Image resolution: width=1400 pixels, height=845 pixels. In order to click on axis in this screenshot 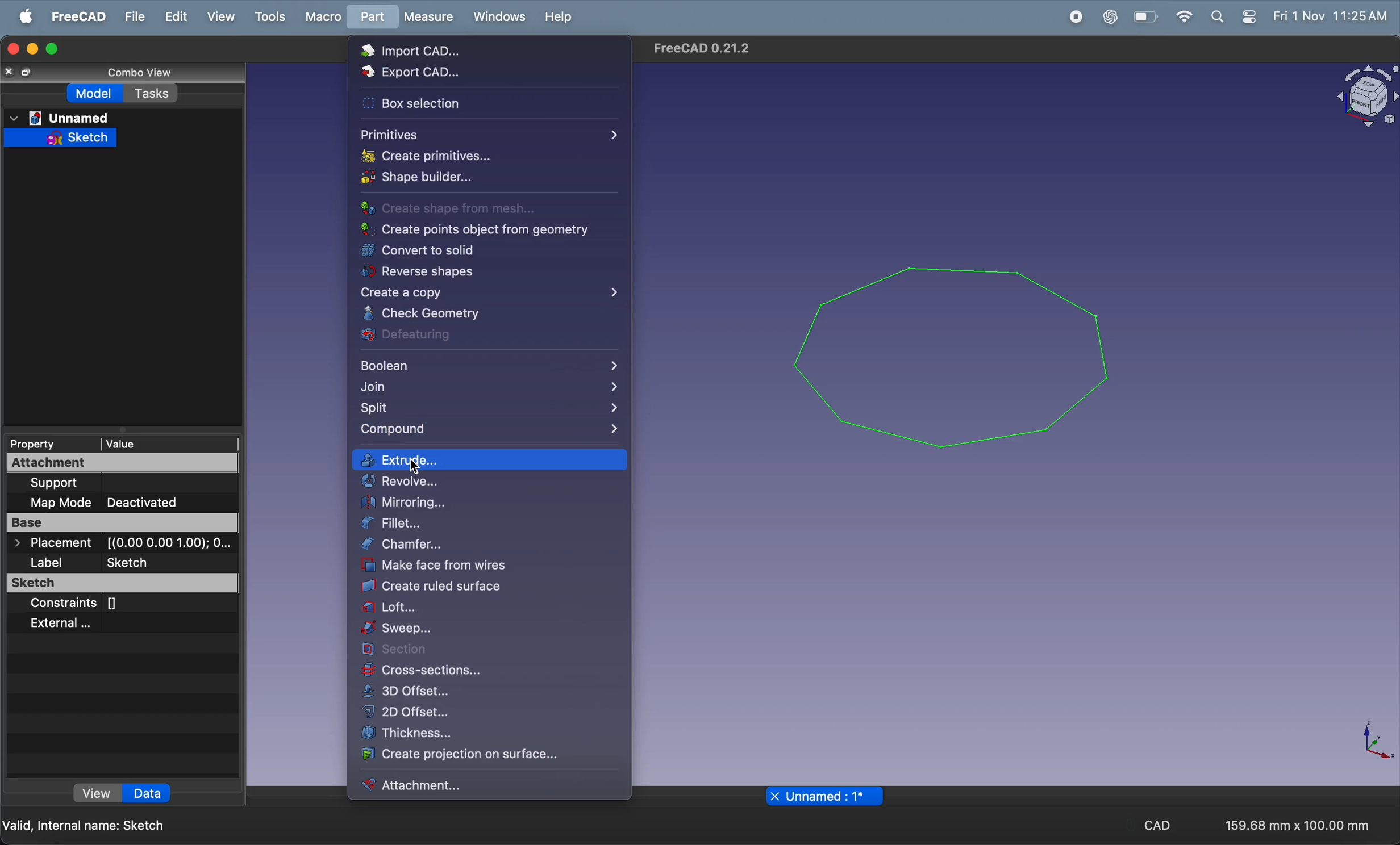, I will do `click(1372, 742)`.